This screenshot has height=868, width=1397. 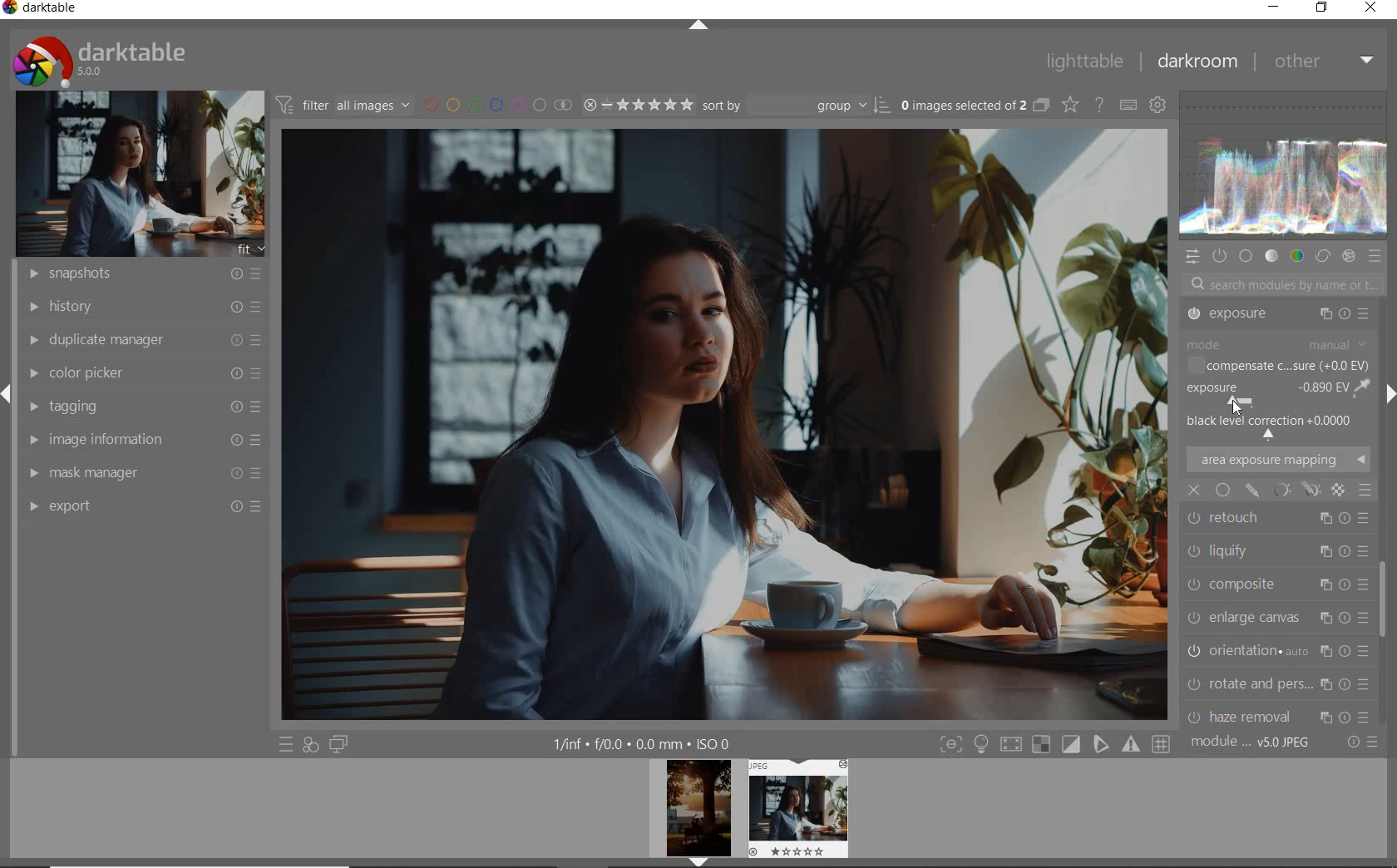 I want to click on LIGHTTABLE, so click(x=1085, y=62).